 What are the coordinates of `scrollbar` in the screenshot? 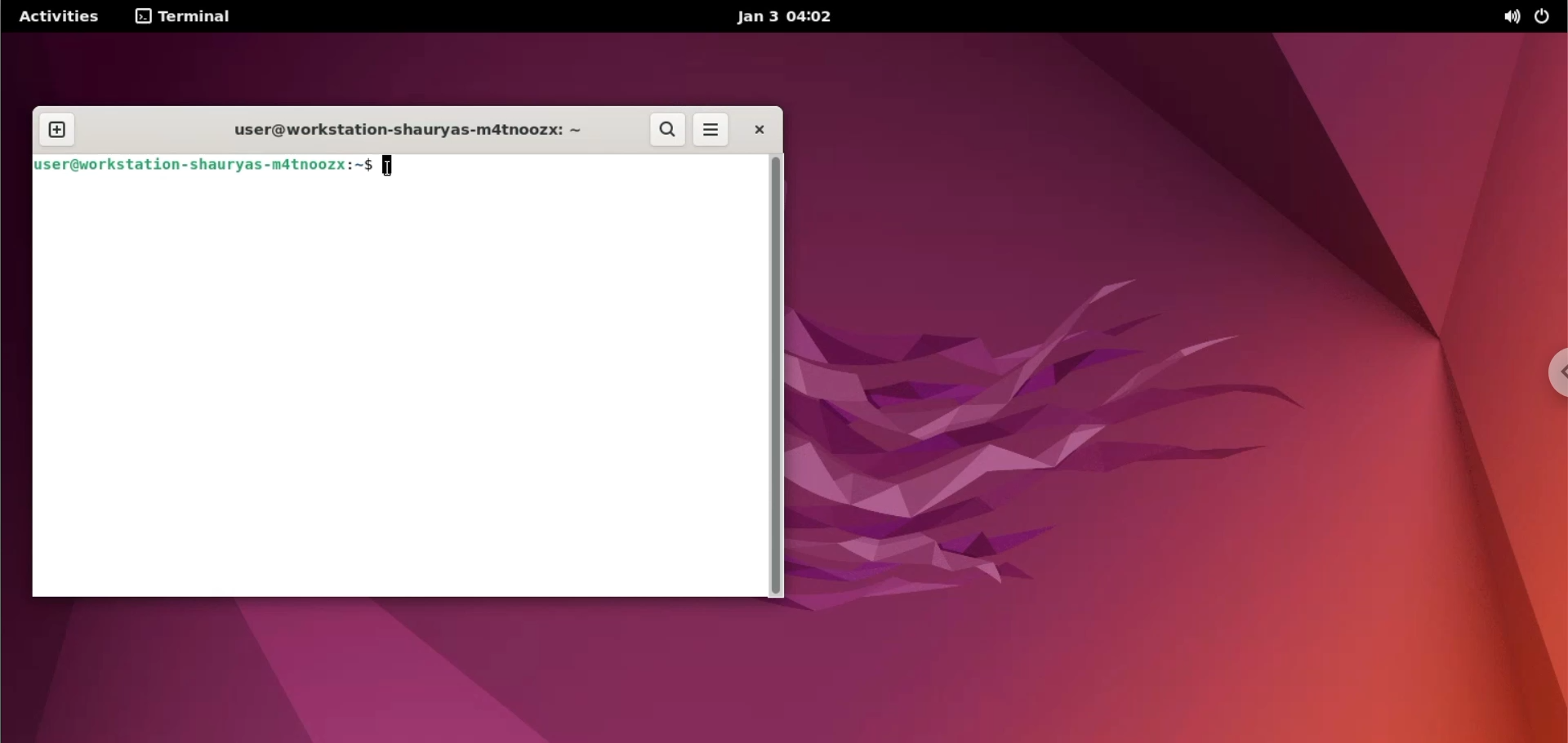 It's located at (775, 376).